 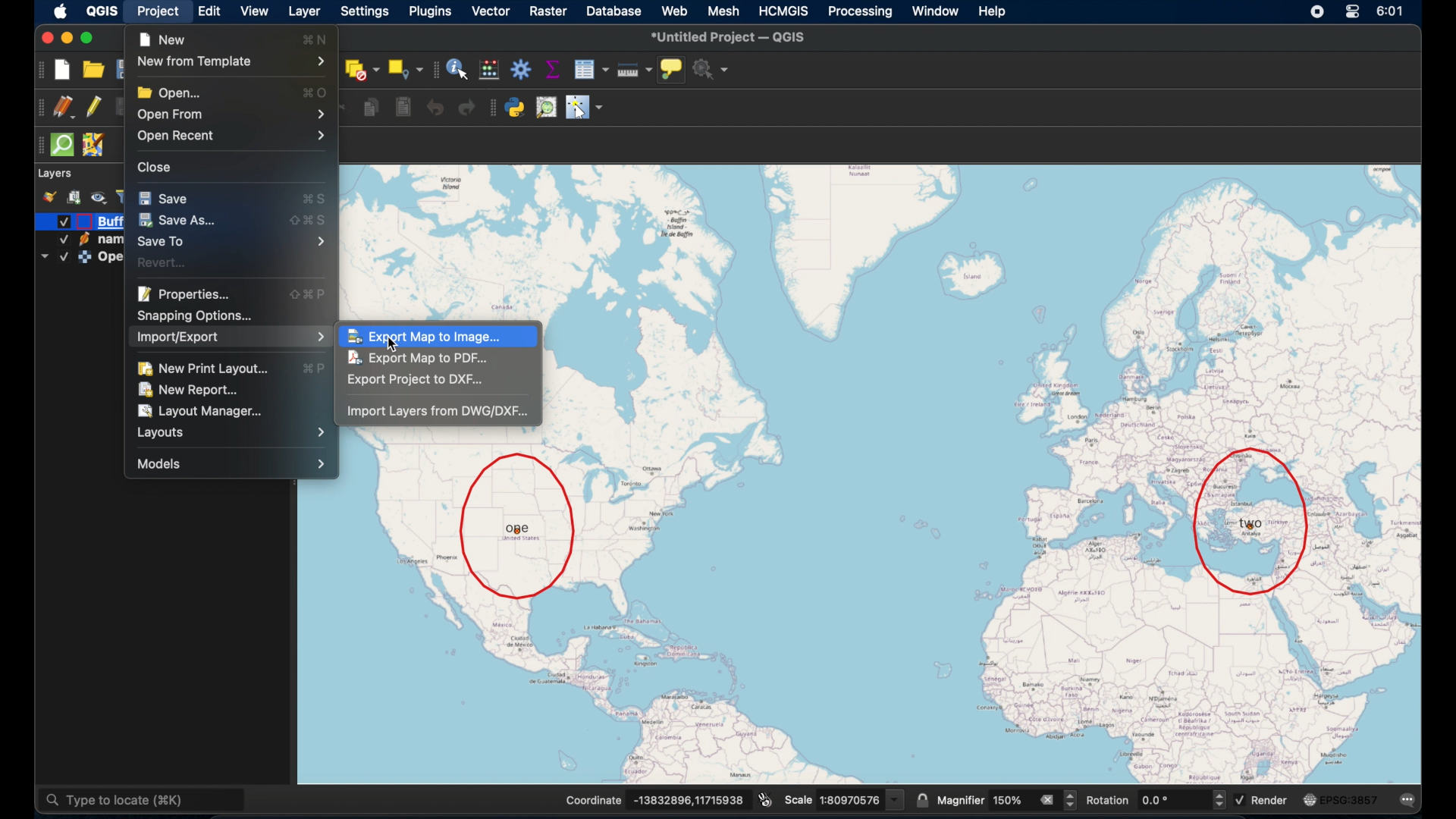 What do you see at coordinates (165, 262) in the screenshot?
I see `revert` at bounding box center [165, 262].